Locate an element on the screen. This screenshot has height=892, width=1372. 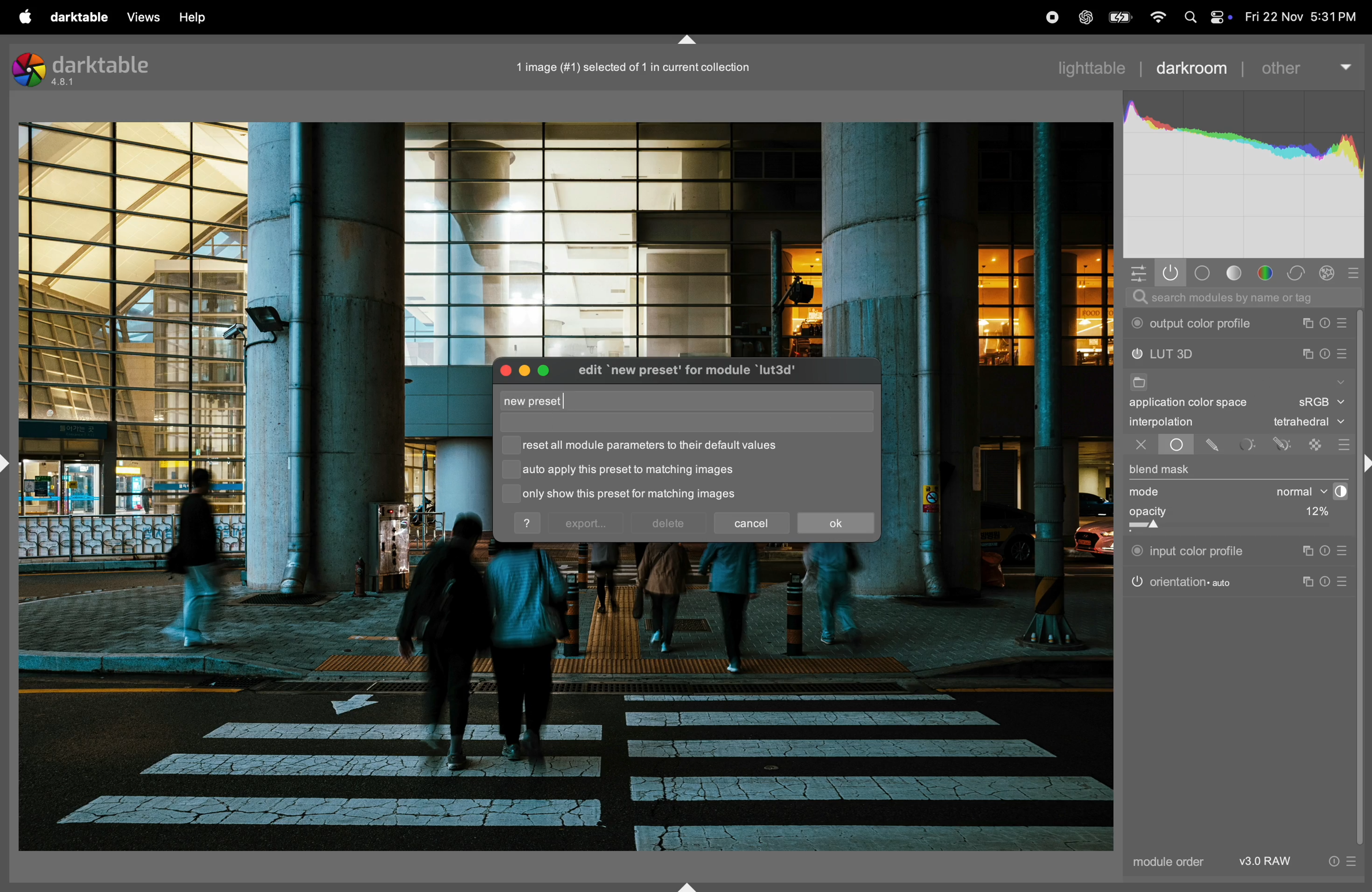
instance is located at coordinates (1306, 551).